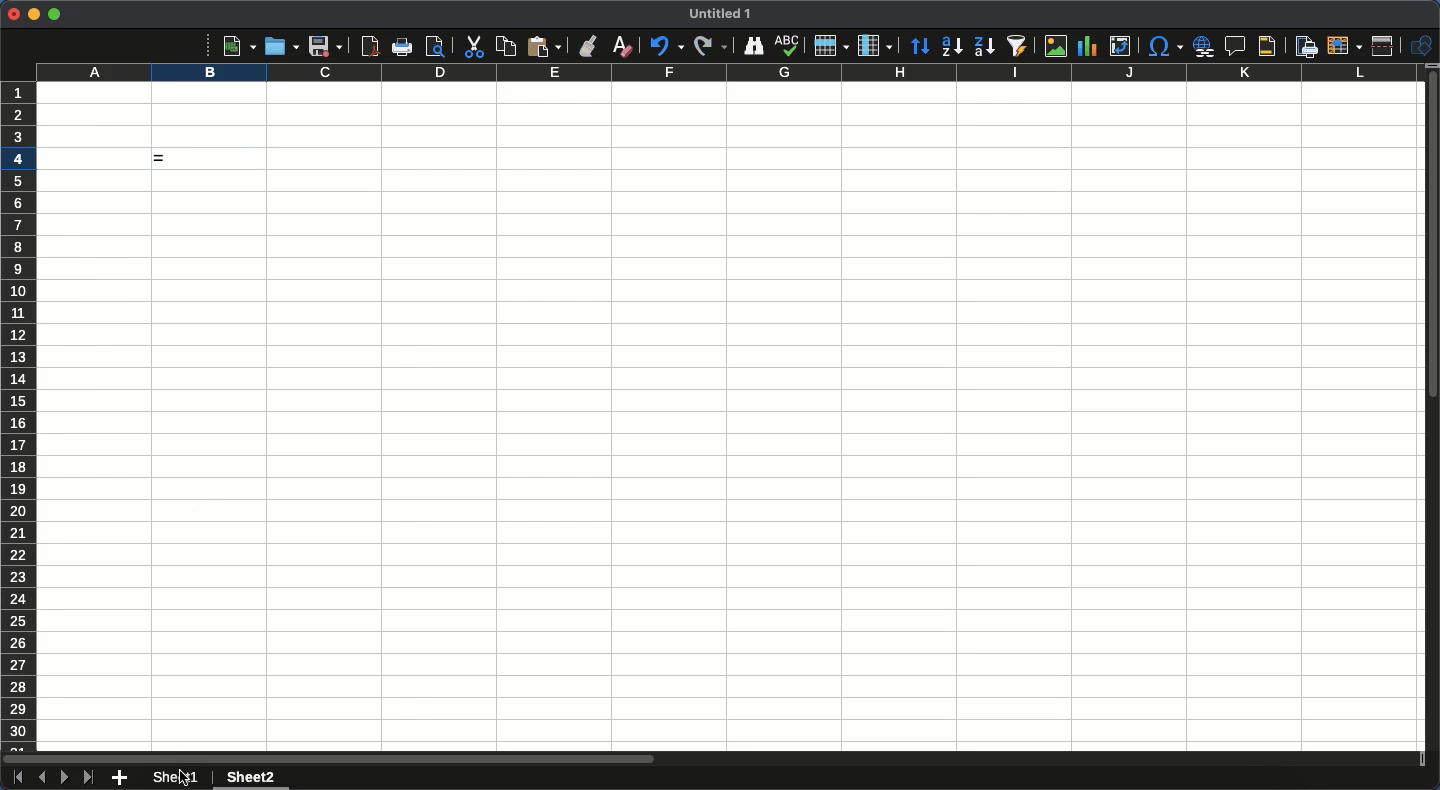 The width and height of the screenshot is (1440, 790). I want to click on Paste, so click(544, 46).